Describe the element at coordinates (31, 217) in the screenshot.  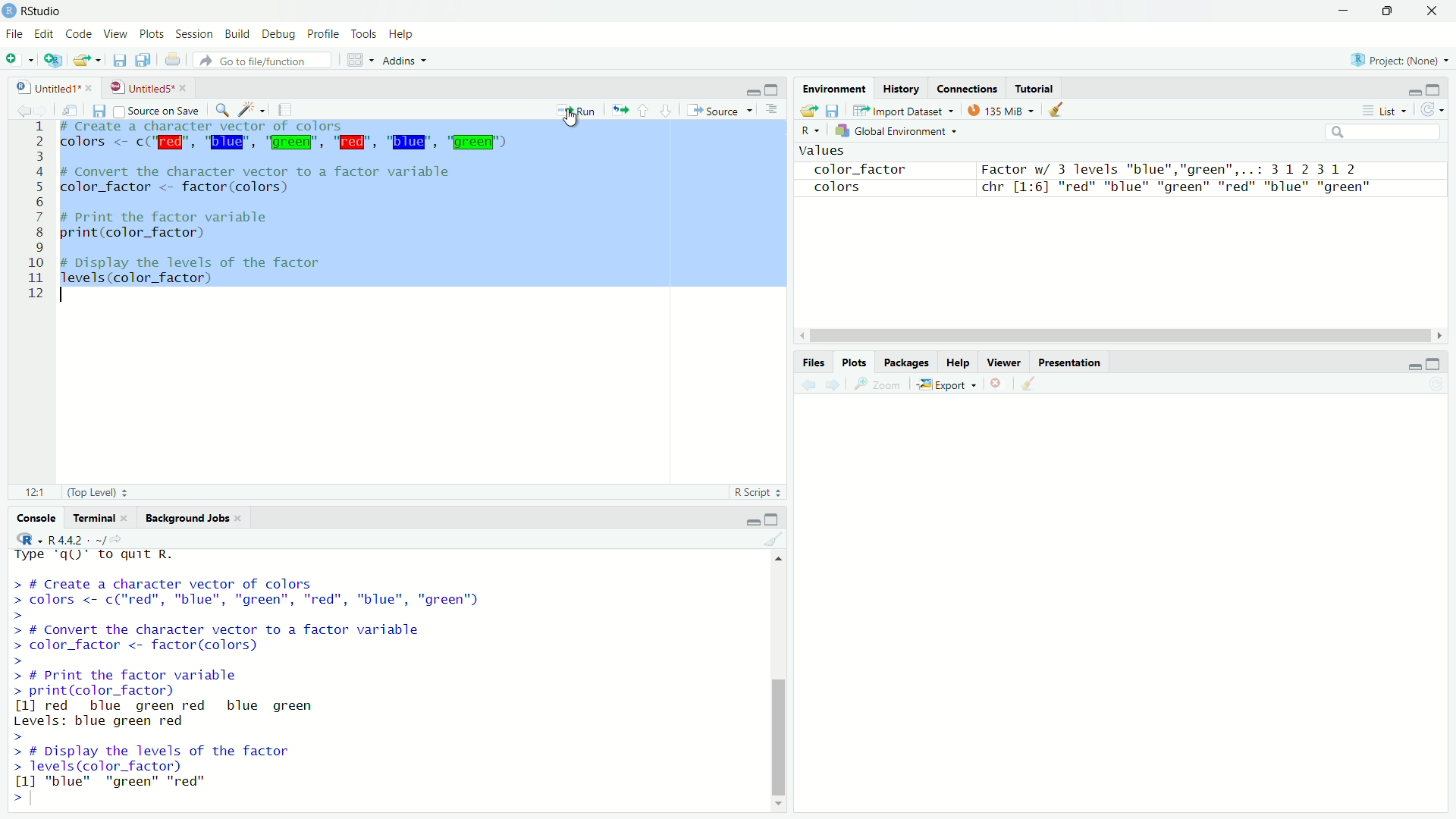
I see `` at that location.